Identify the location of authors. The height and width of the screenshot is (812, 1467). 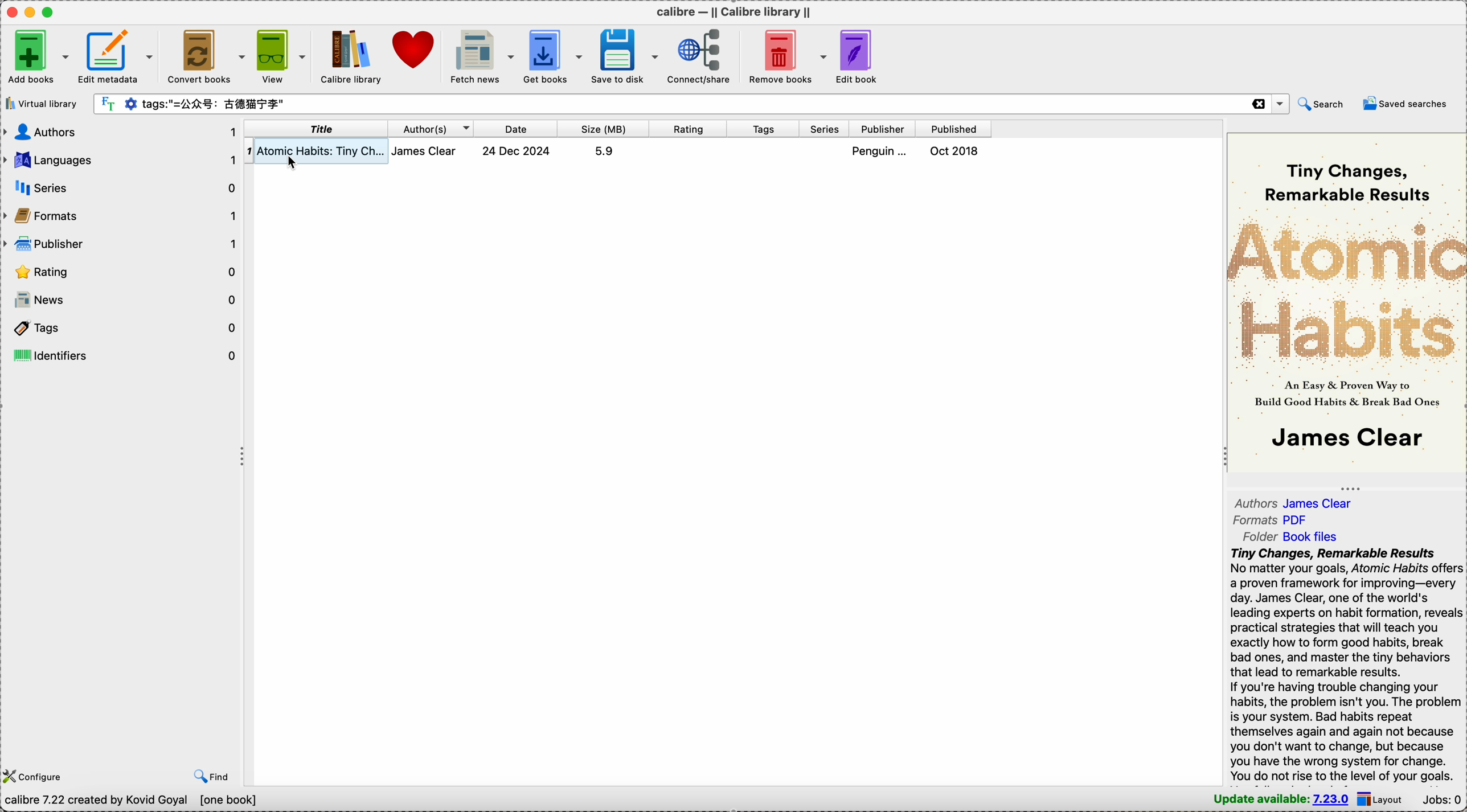
(1297, 503).